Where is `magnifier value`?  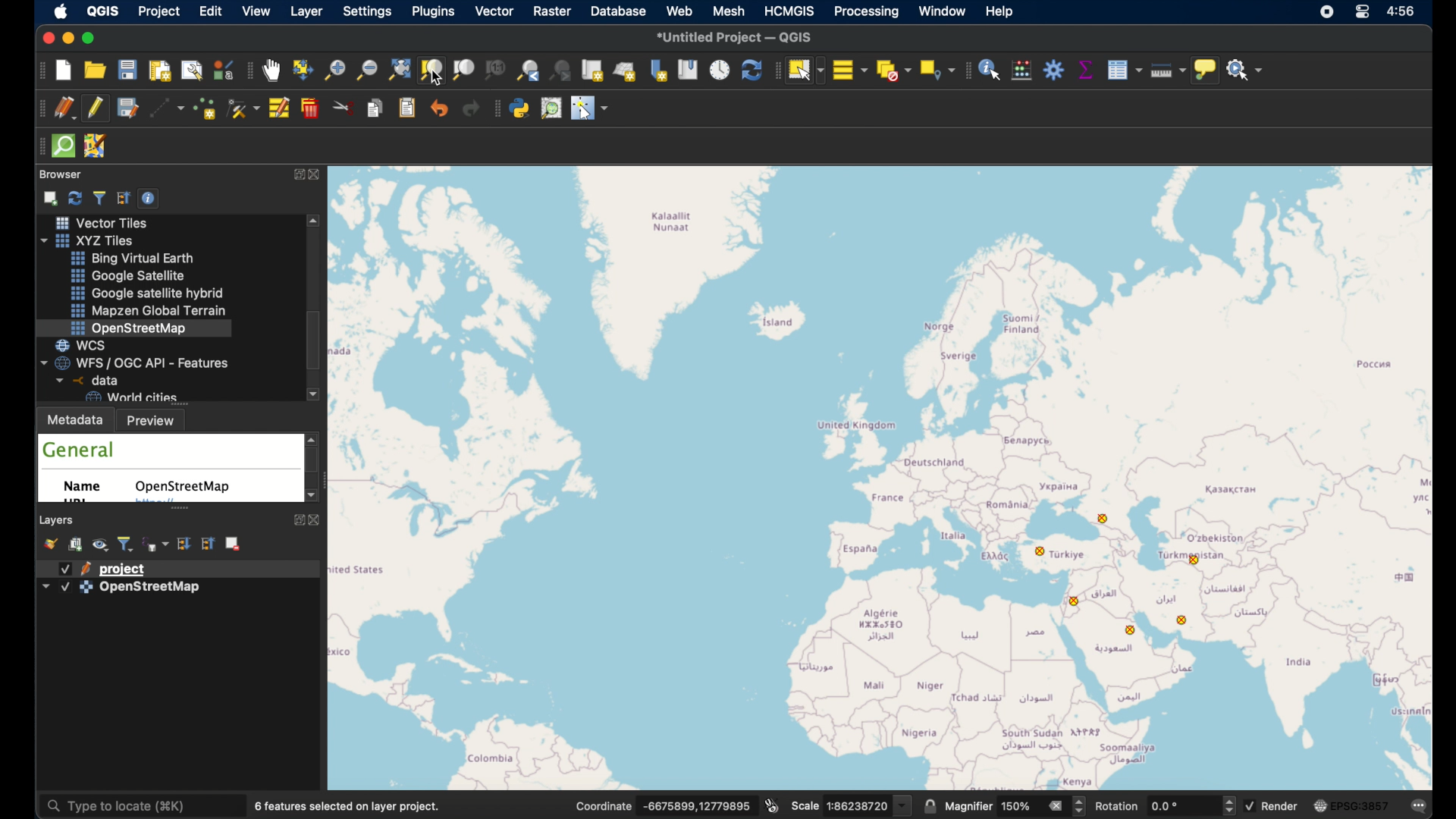 magnifier value is located at coordinates (1016, 805).